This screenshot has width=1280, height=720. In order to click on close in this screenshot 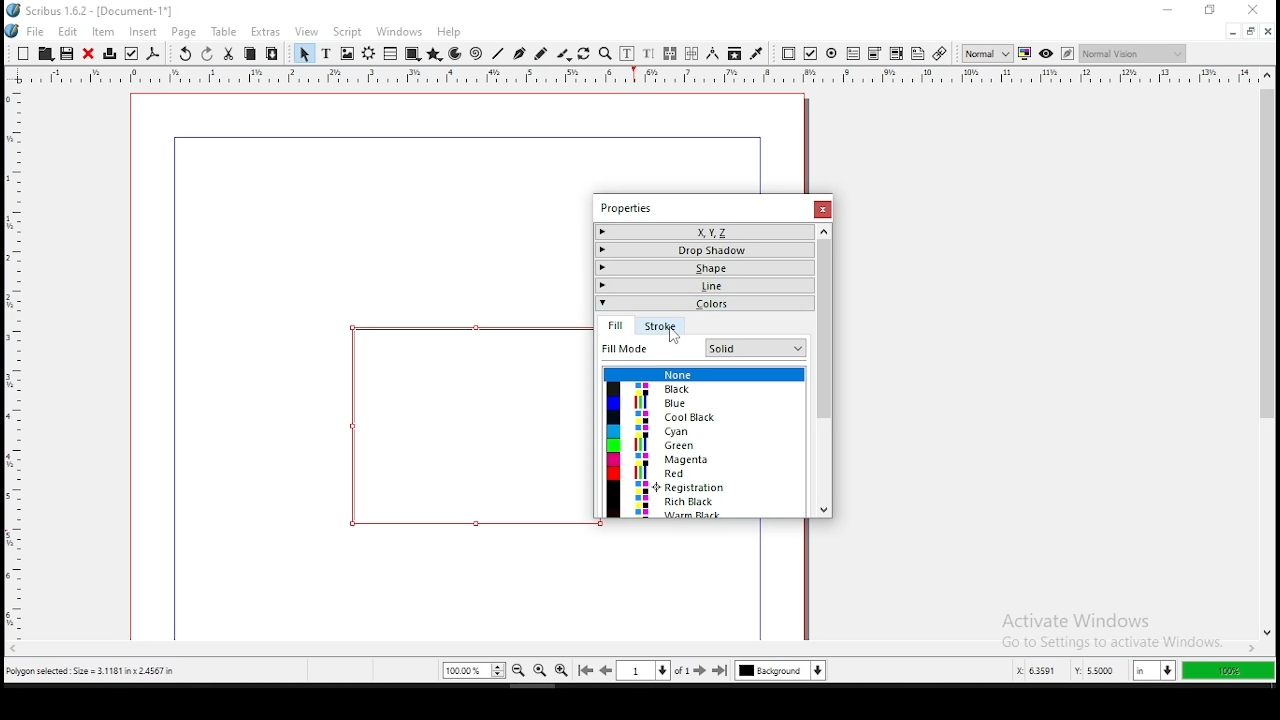, I will do `click(1269, 31)`.